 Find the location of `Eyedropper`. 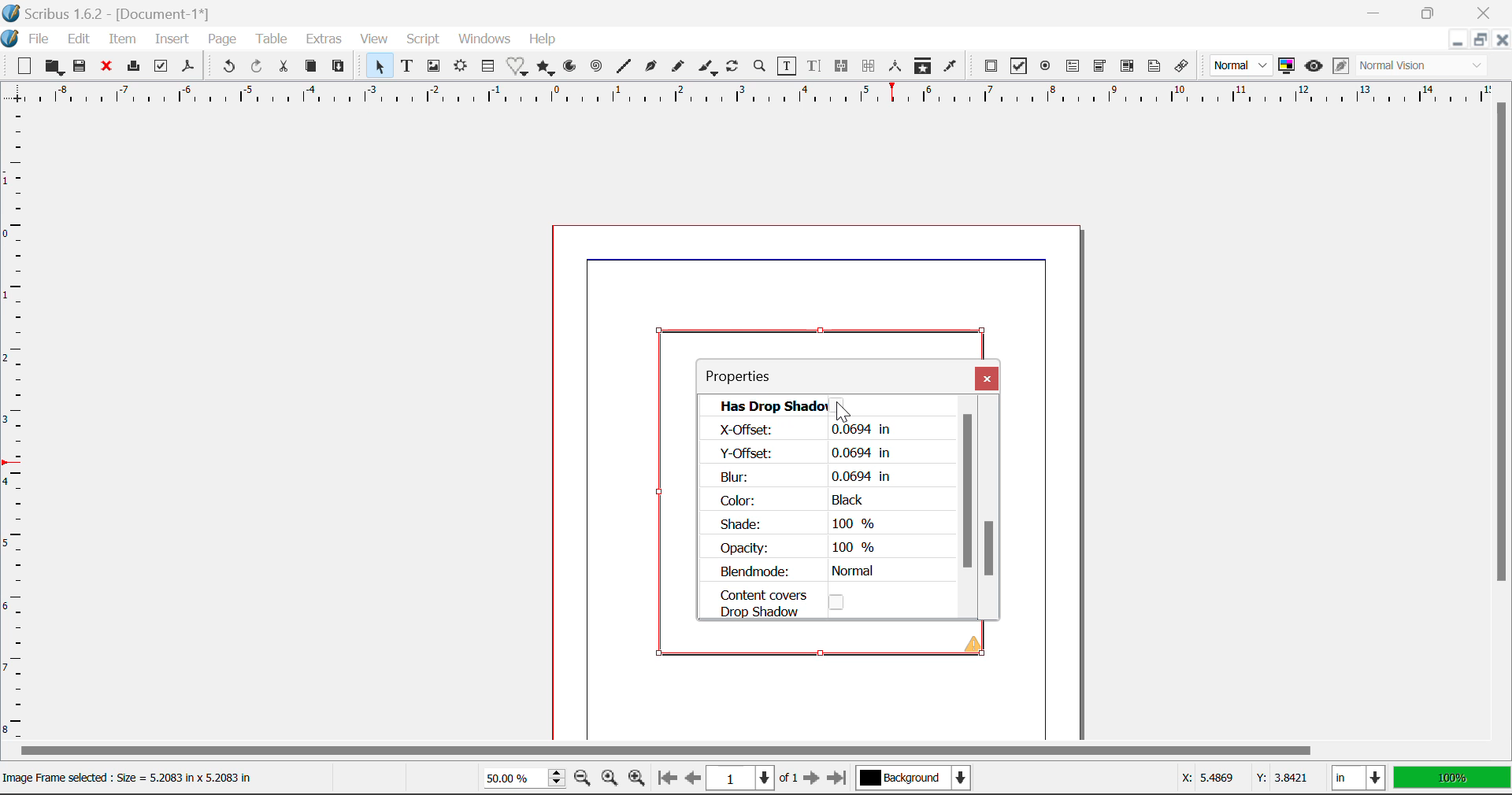

Eyedropper is located at coordinates (950, 68).